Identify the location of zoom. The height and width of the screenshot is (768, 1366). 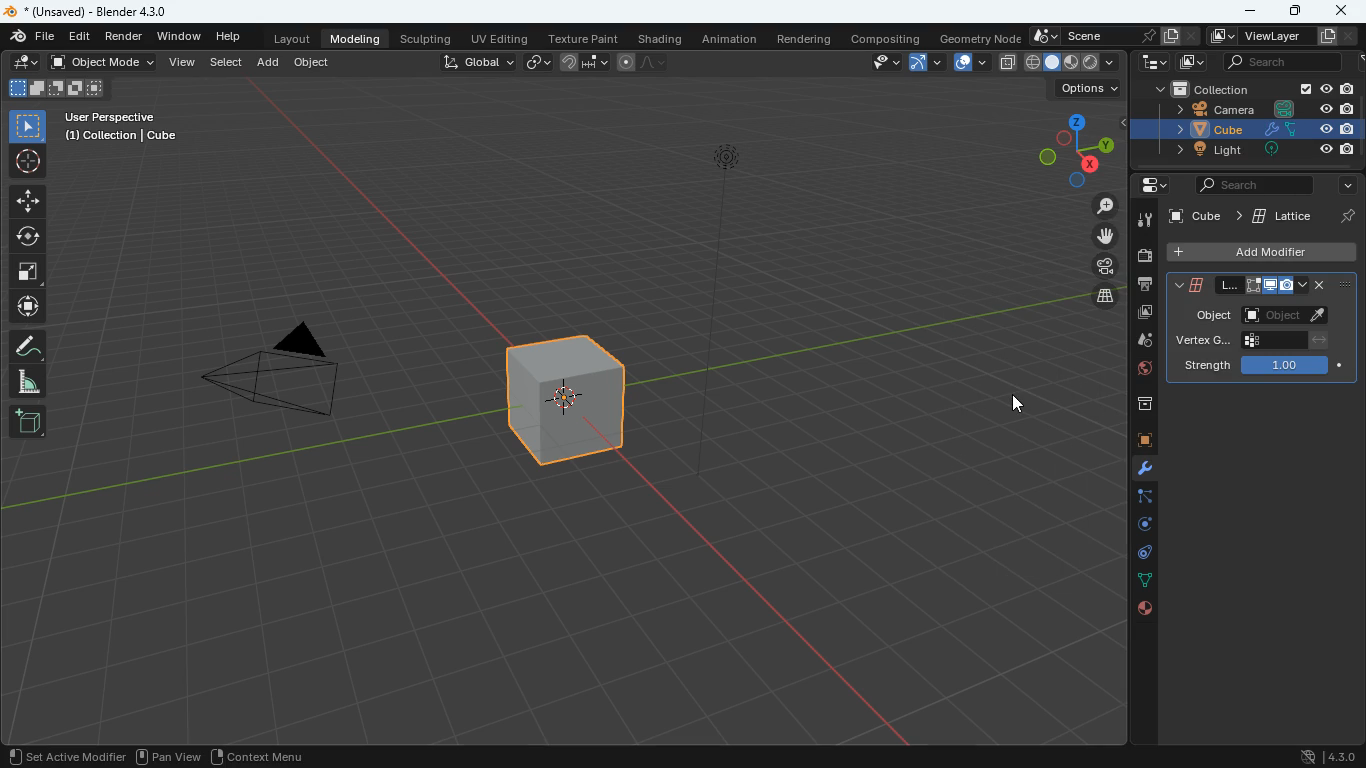
(1107, 207).